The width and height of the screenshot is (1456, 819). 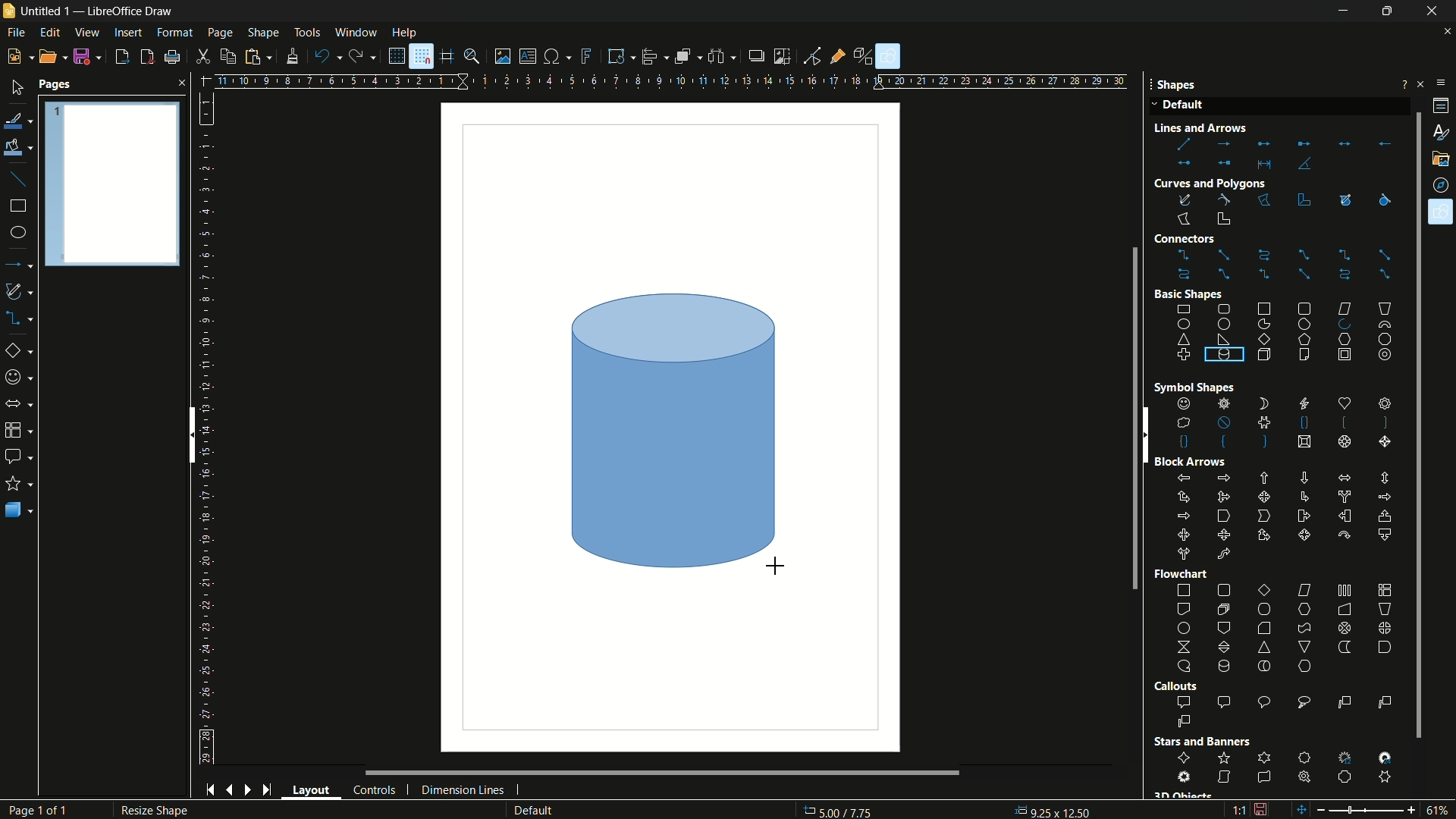 I want to click on rectangle, so click(x=18, y=206).